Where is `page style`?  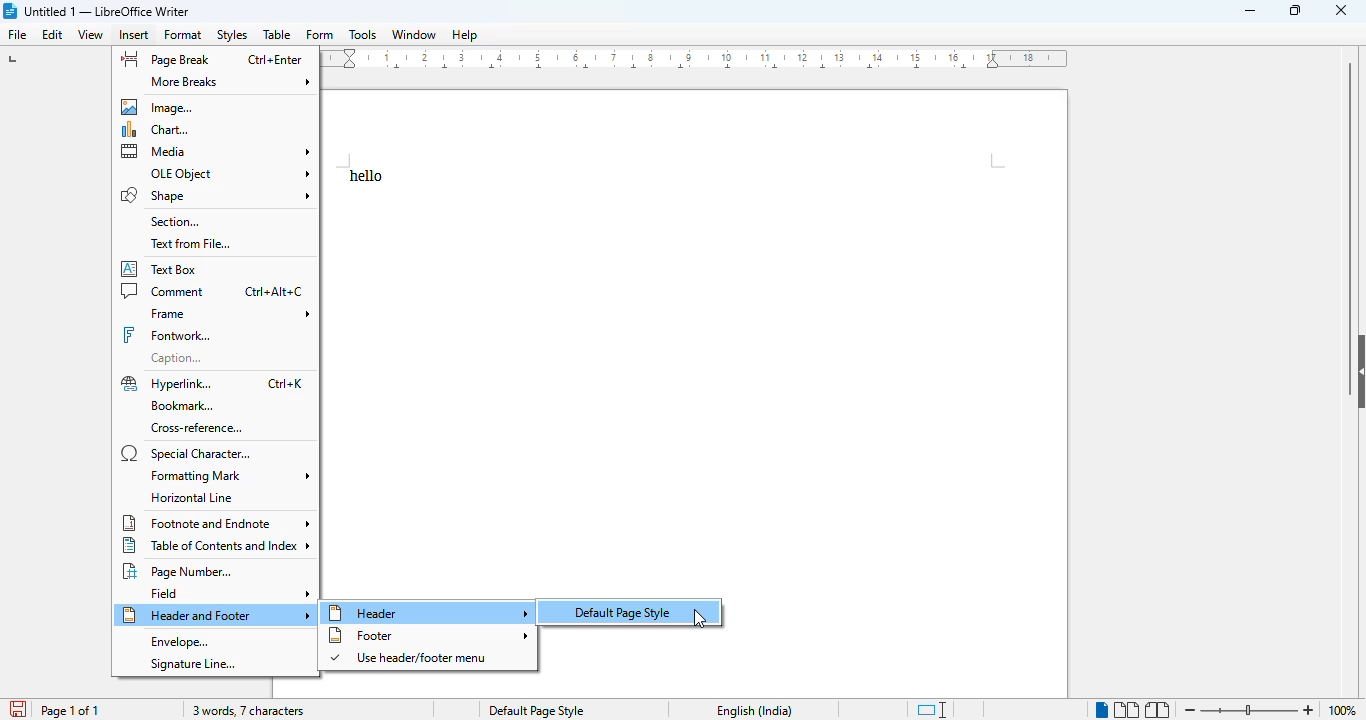 page style is located at coordinates (536, 710).